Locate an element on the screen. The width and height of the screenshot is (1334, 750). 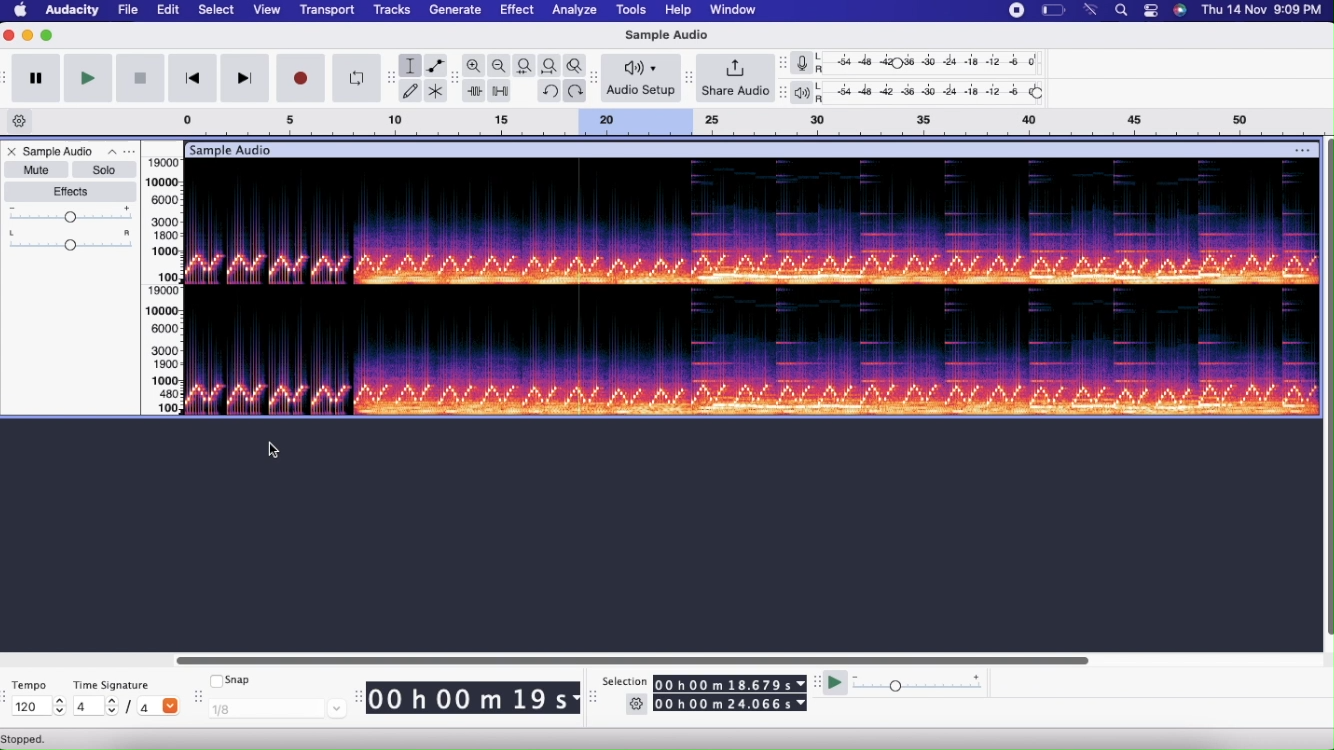
move toolbar is located at coordinates (784, 64).